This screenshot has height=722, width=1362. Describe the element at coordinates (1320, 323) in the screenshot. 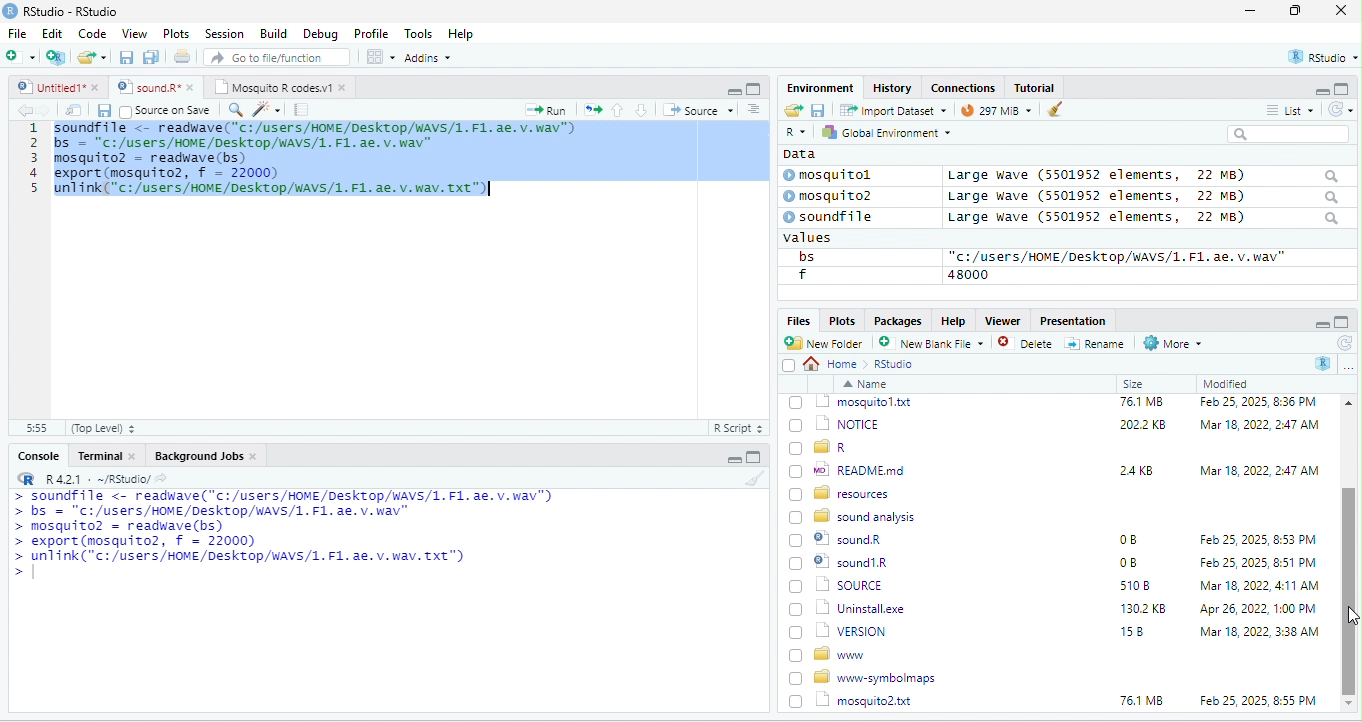

I see `minimize` at that location.